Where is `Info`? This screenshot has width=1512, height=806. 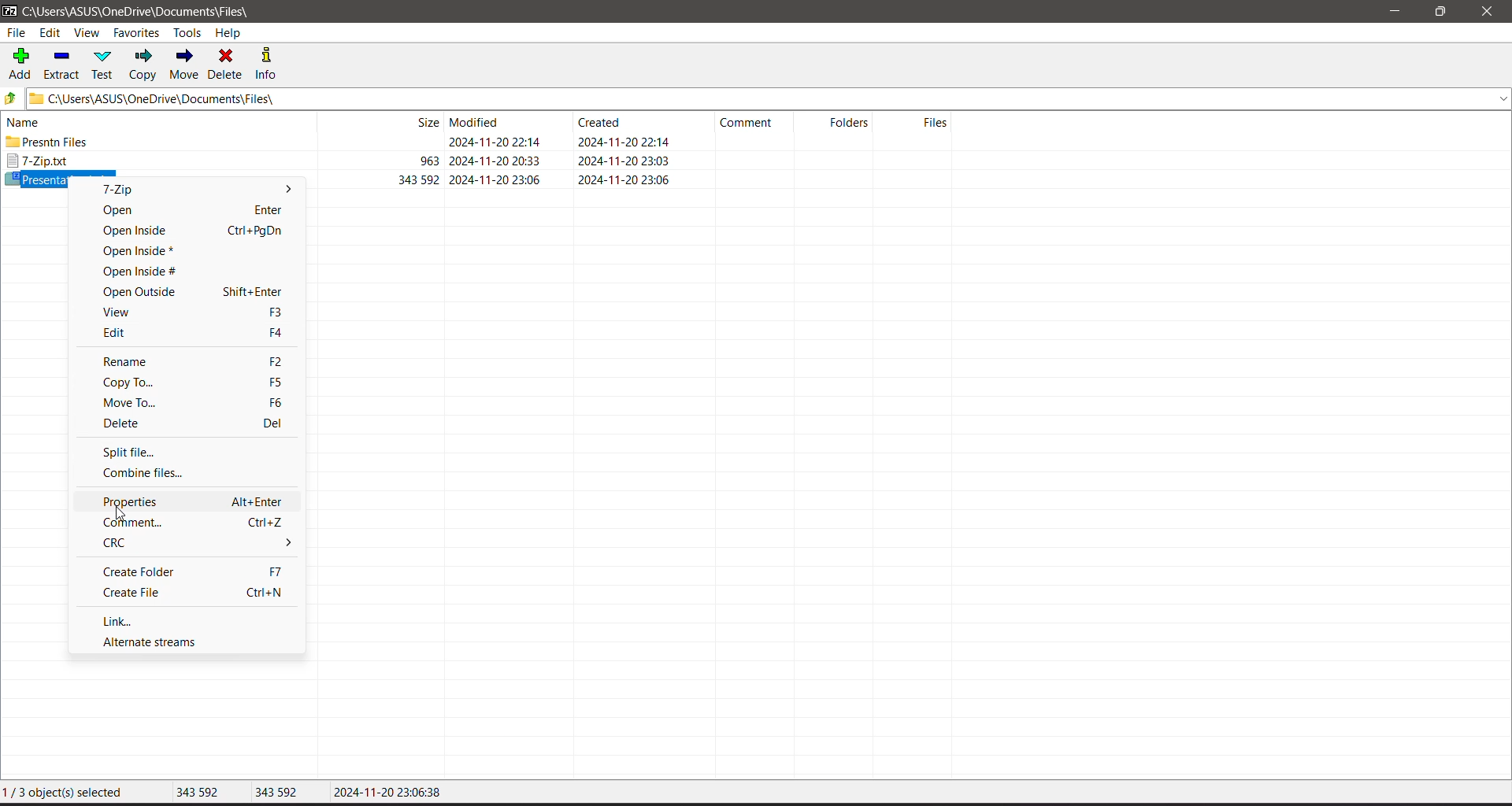
Info is located at coordinates (272, 63).